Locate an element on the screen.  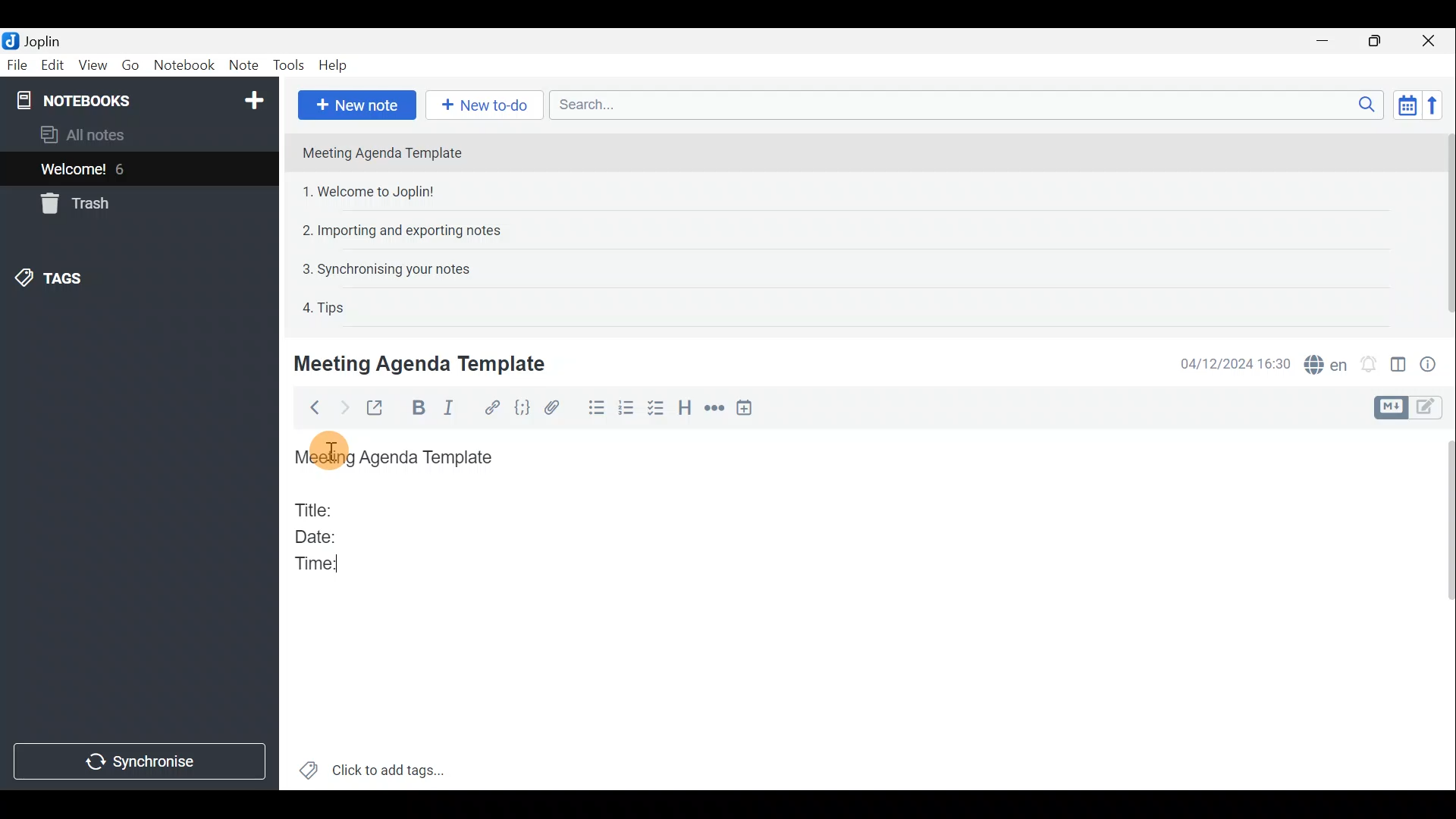
Toggle editors is located at coordinates (1389, 408).